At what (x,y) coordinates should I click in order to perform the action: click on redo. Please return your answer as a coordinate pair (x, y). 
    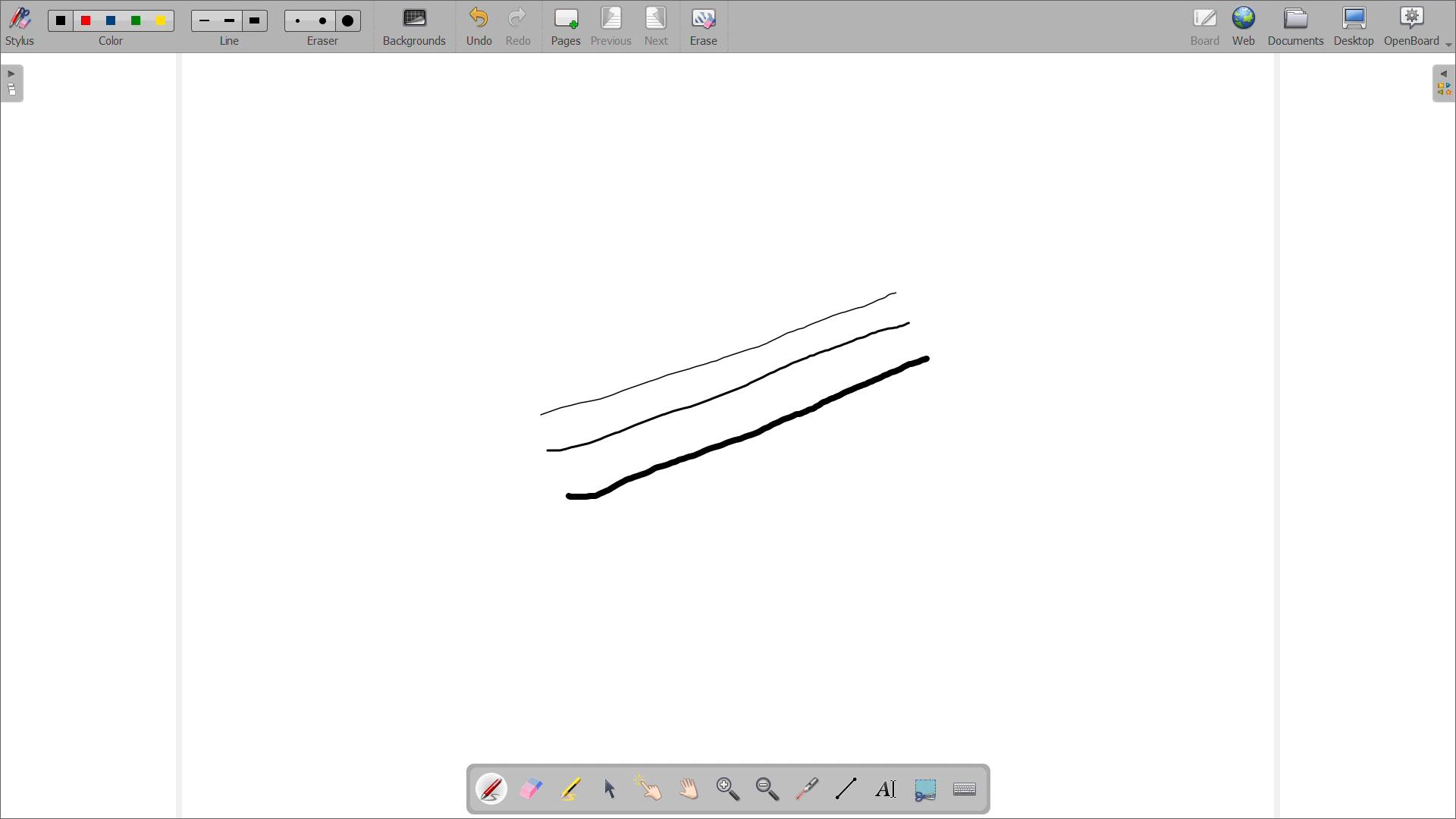
    Looking at the image, I should click on (519, 26).